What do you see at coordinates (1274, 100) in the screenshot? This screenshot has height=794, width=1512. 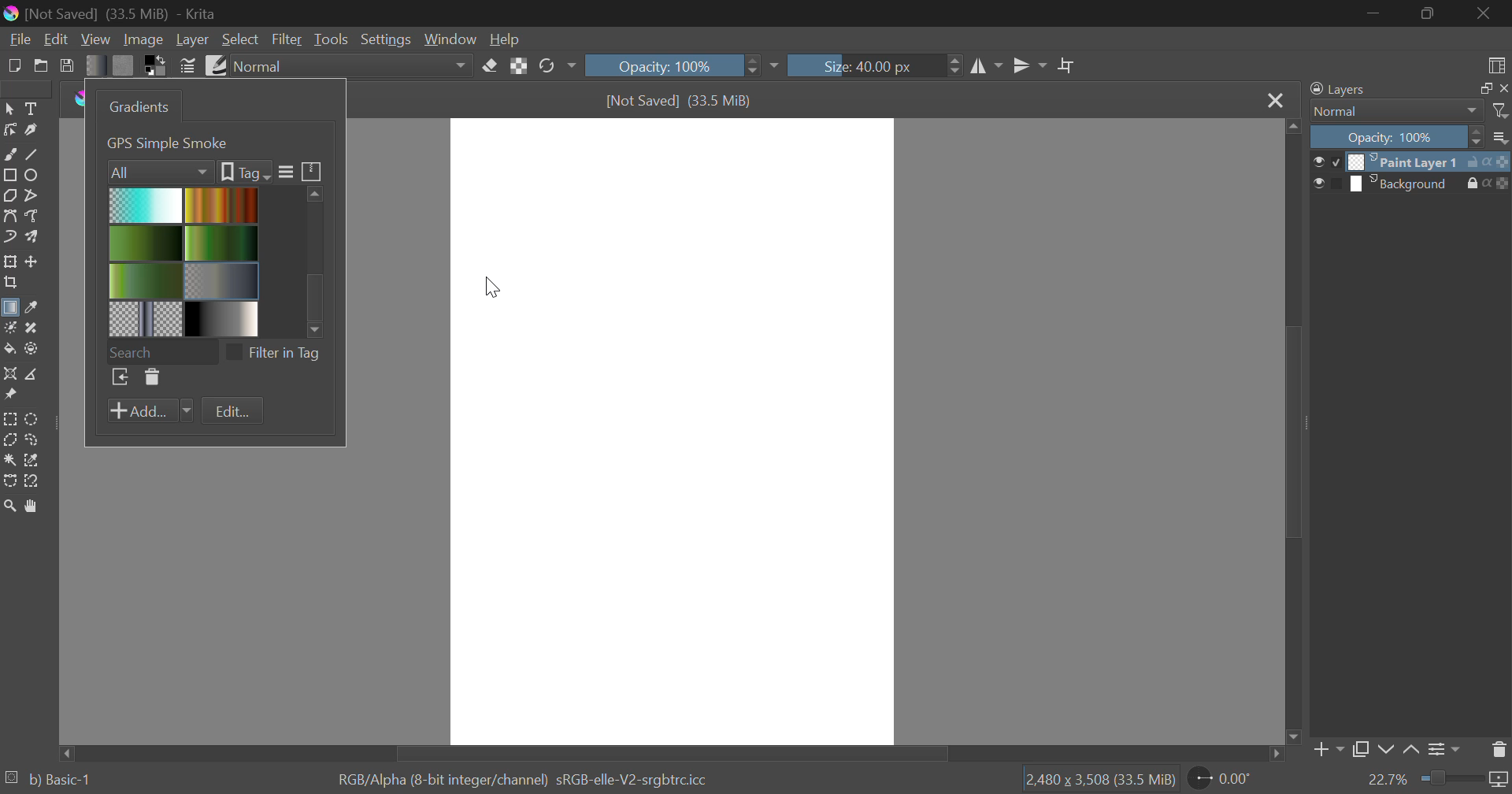 I see `Close` at bounding box center [1274, 100].